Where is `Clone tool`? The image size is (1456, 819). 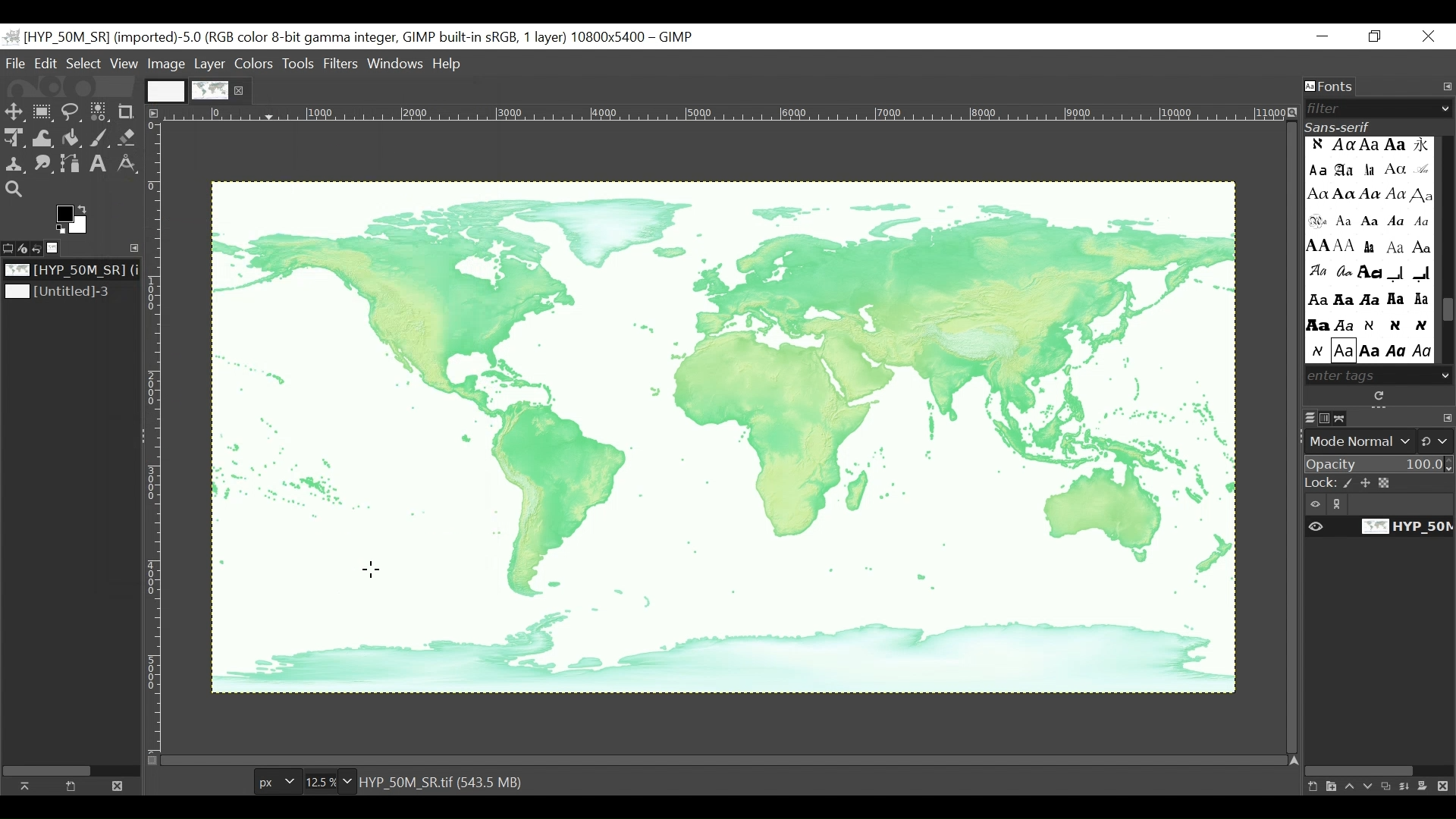
Clone tool is located at coordinates (14, 164).